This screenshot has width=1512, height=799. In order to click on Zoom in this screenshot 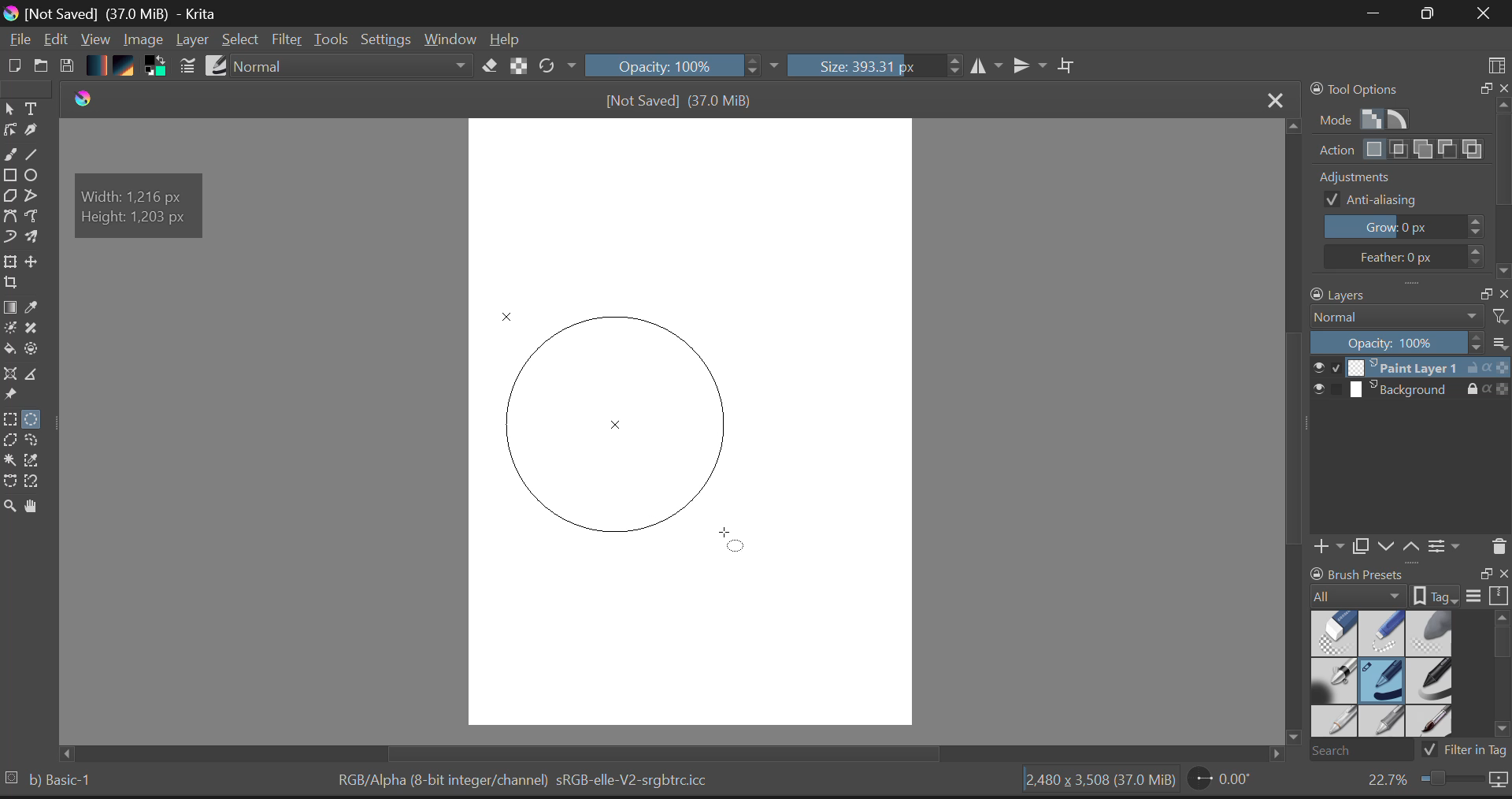, I will do `click(1435, 783)`.